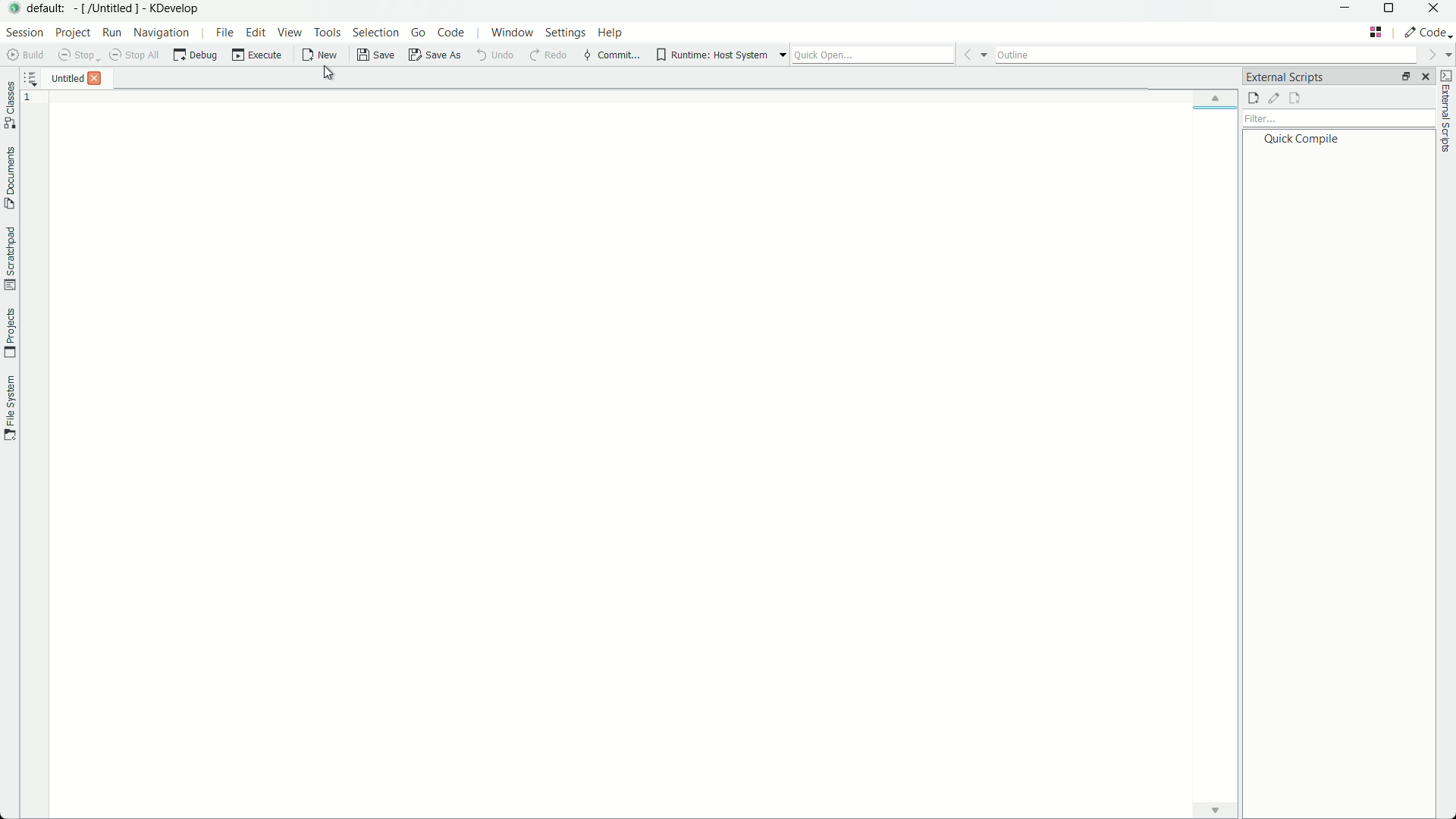 The height and width of the screenshot is (819, 1456). Describe the element at coordinates (721, 55) in the screenshot. I see `runtime host system` at that location.